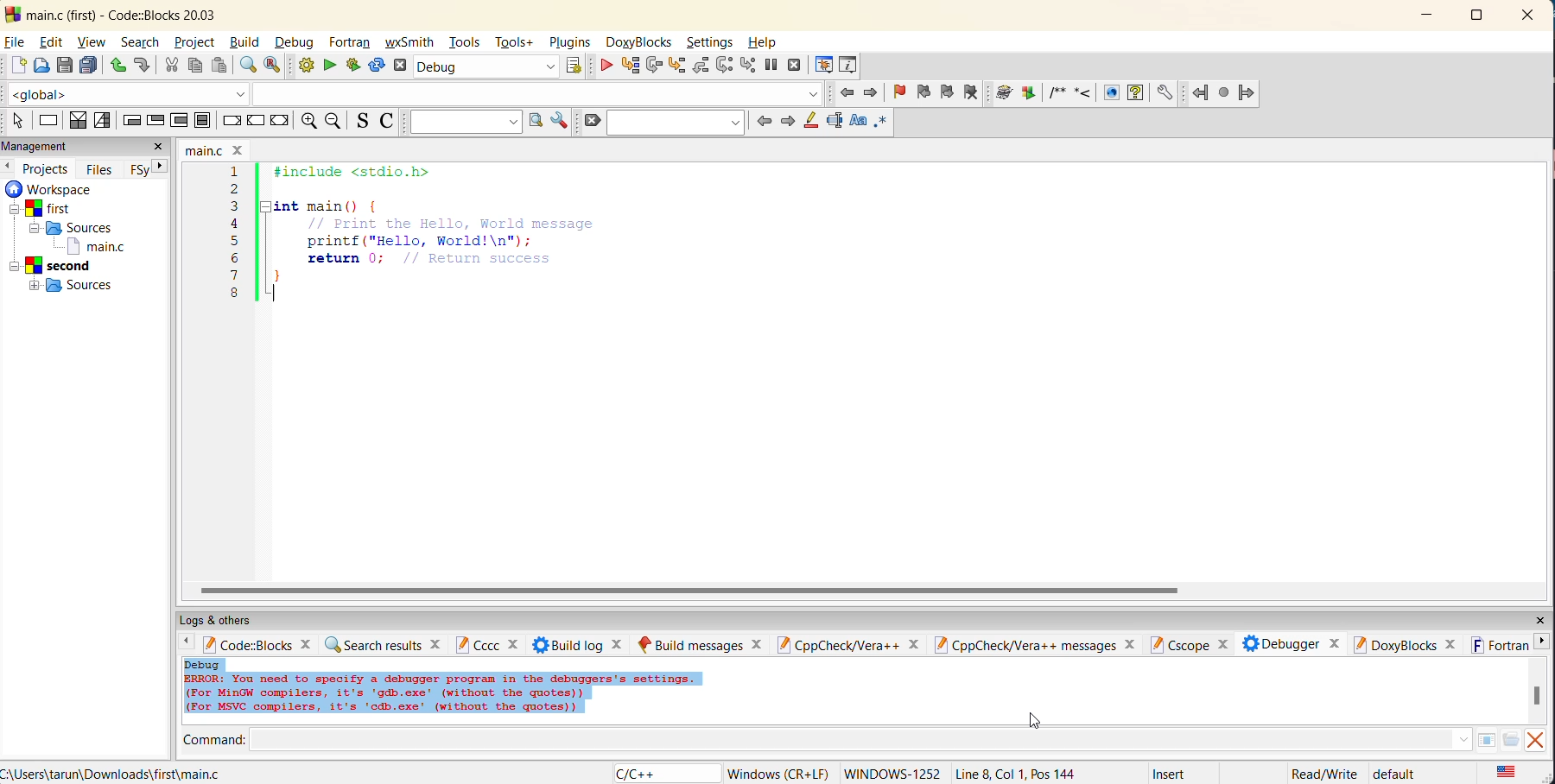 The height and width of the screenshot is (784, 1555). Describe the element at coordinates (764, 42) in the screenshot. I see `help` at that location.